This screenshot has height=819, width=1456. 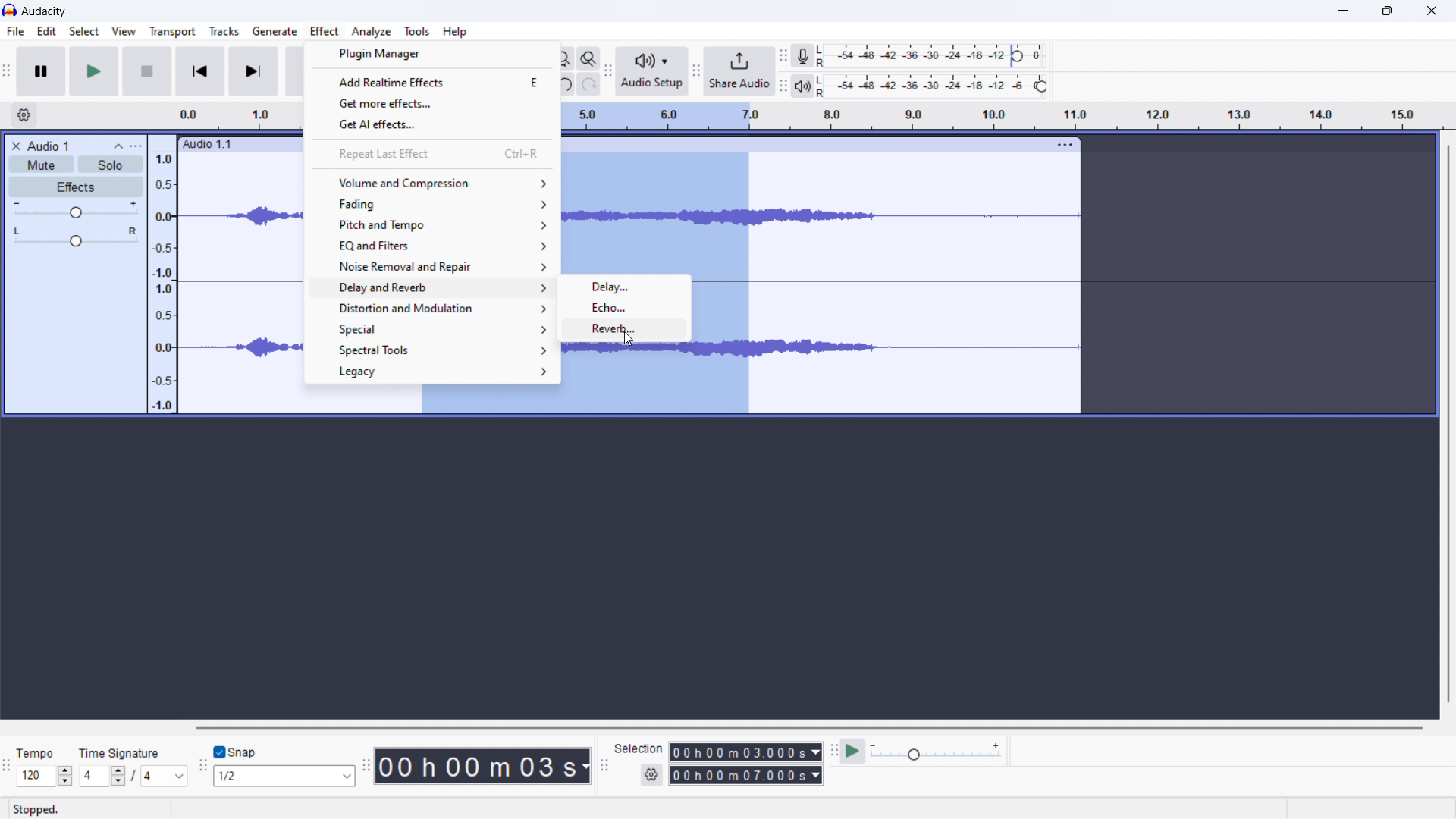 What do you see at coordinates (118, 145) in the screenshot?
I see `collapse` at bounding box center [118, 145].